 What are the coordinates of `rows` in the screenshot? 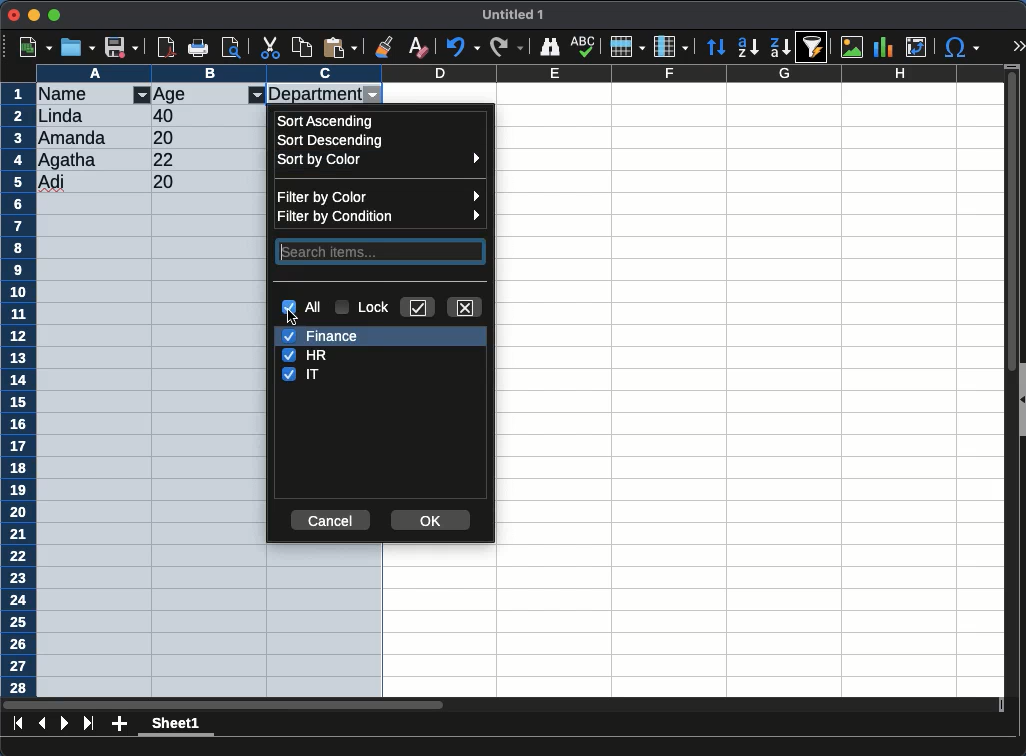 It's located at (18, 390).